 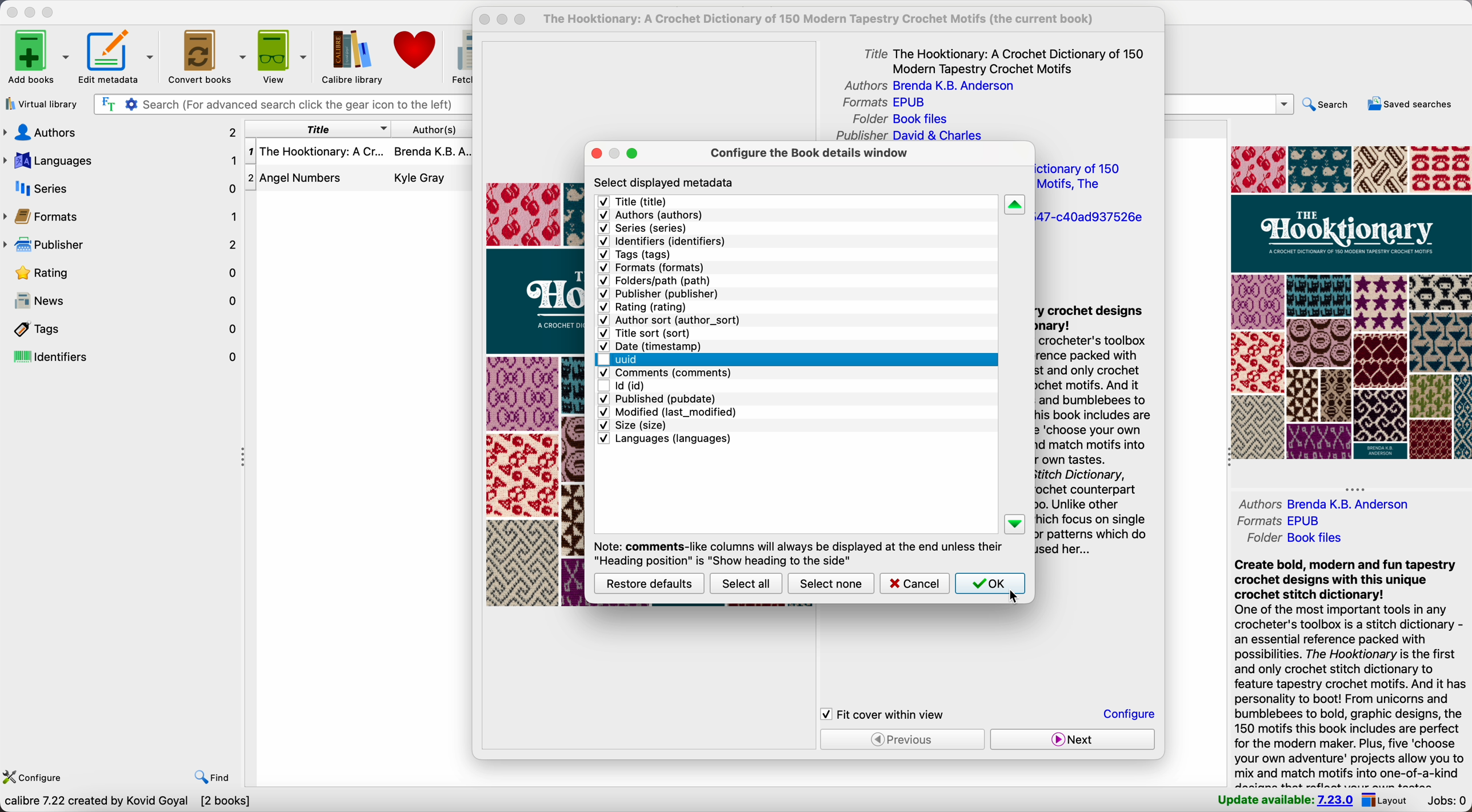 What do you see at coordinates (214, 778) in the screenshot?
I see `find` at bounding box center [214, 778].